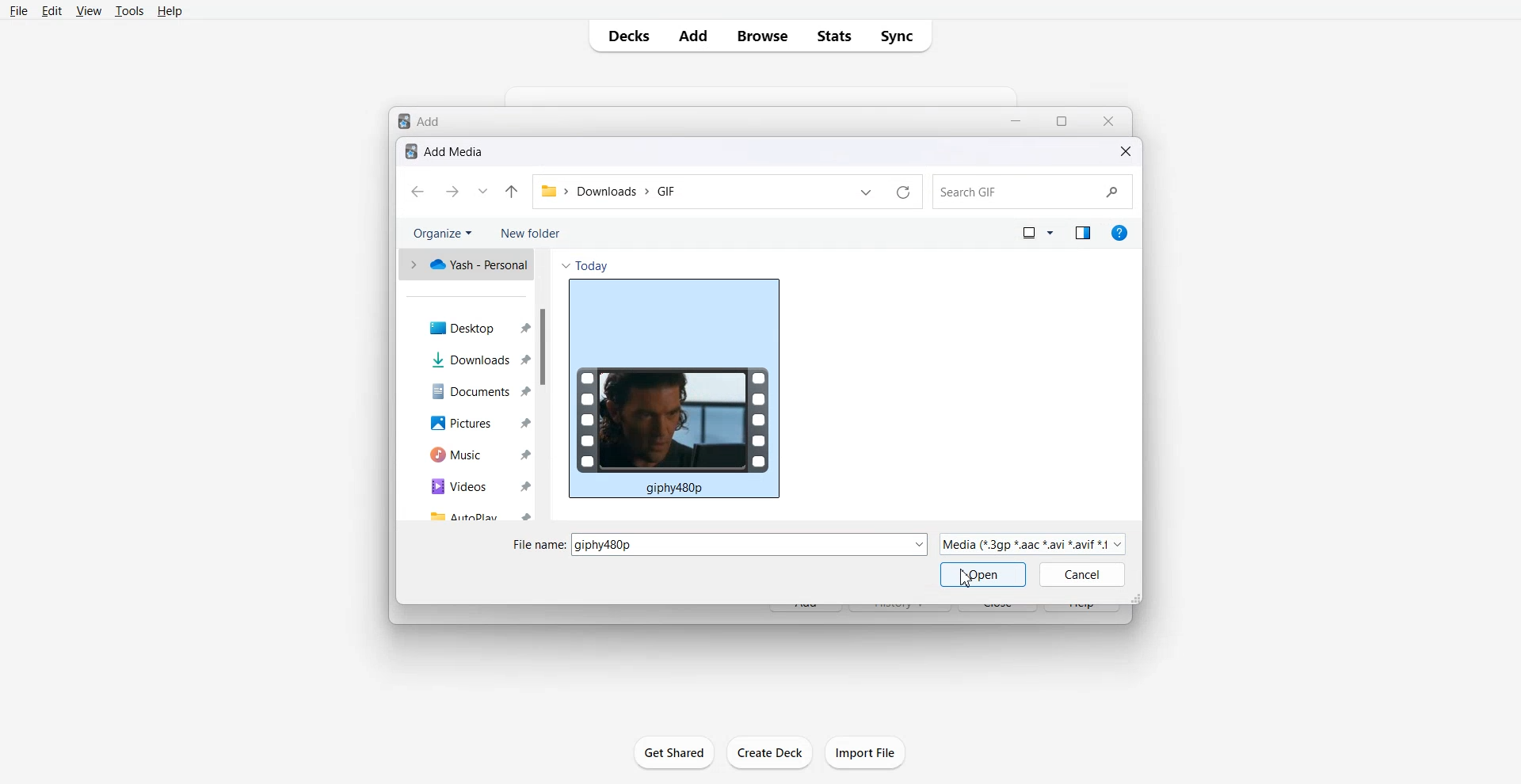  I want to click on Minimize, so click(1017, 120).